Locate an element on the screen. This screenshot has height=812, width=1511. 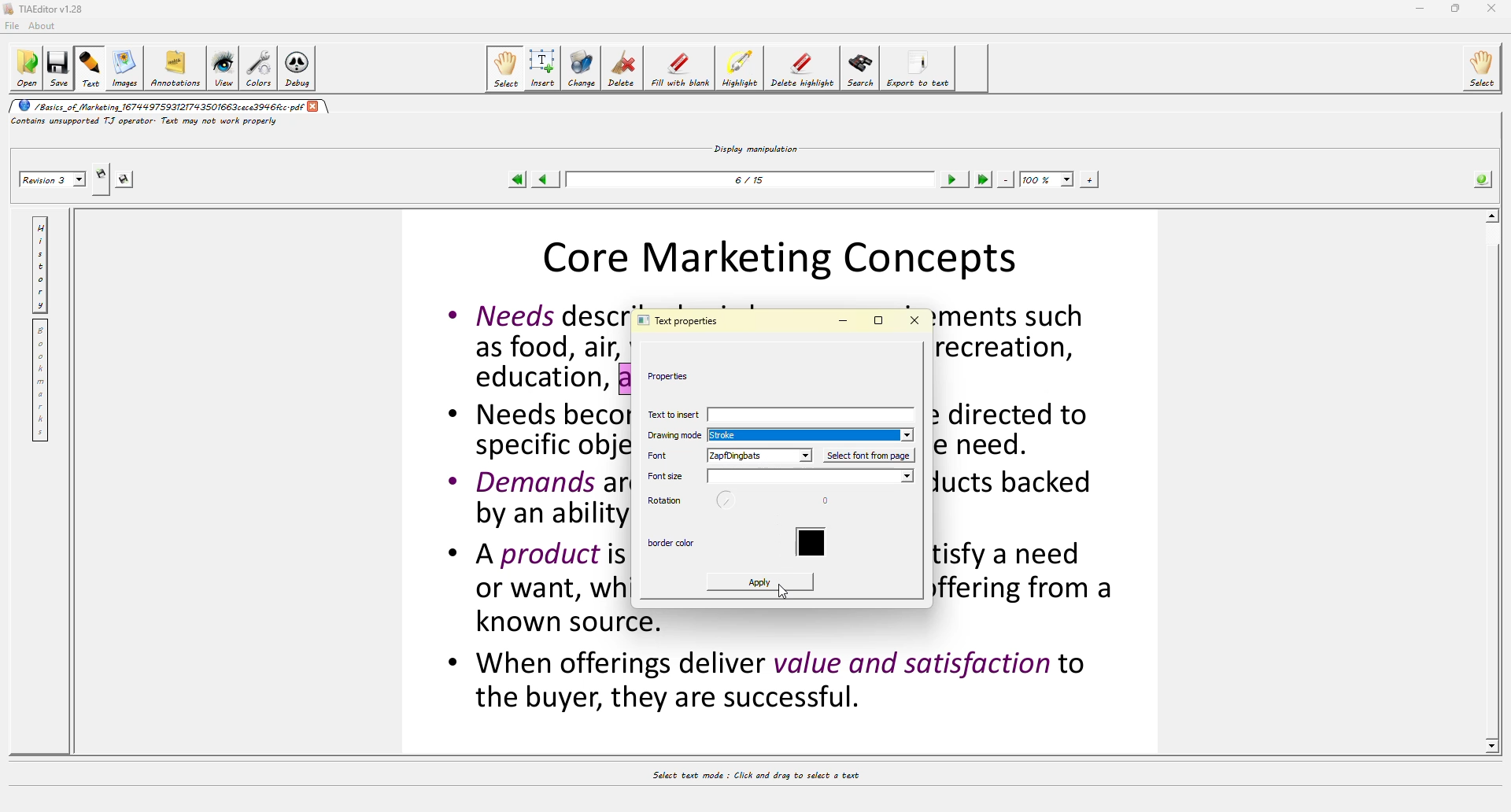
text is located at coordinates (91, 68).